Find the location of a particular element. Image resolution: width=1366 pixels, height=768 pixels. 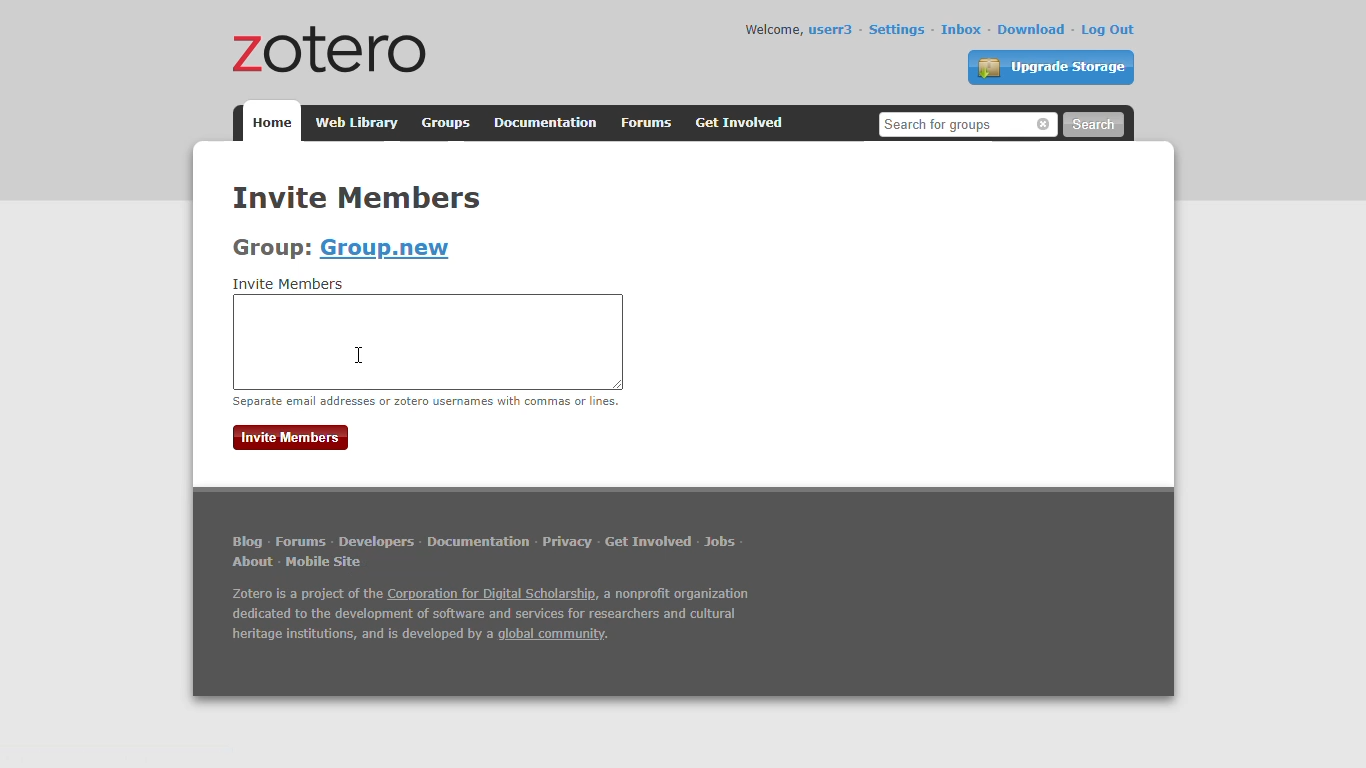

documentation is located at coordinates (478, 543).